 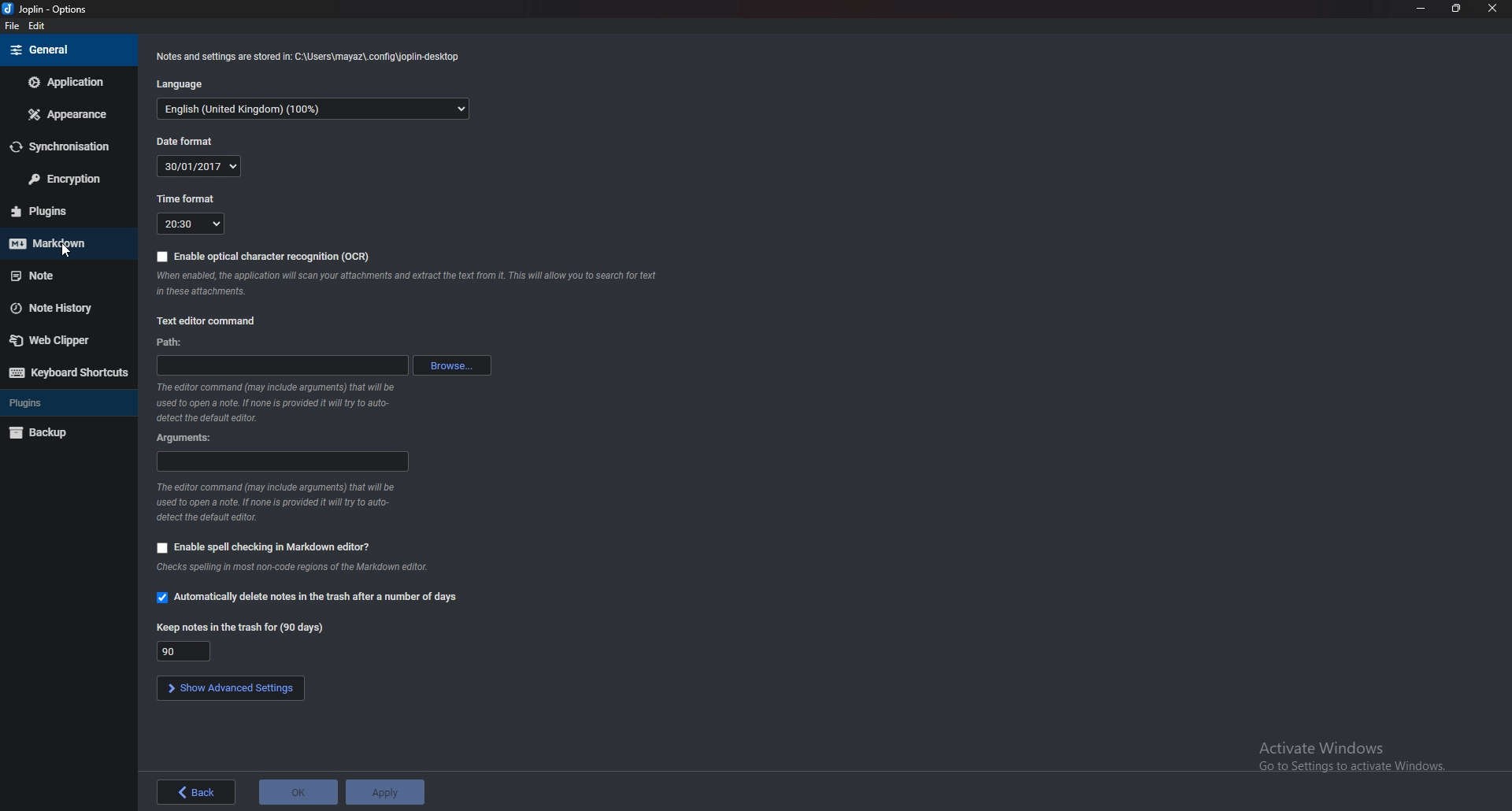 I want to click on info, so click(x=275, y=502).